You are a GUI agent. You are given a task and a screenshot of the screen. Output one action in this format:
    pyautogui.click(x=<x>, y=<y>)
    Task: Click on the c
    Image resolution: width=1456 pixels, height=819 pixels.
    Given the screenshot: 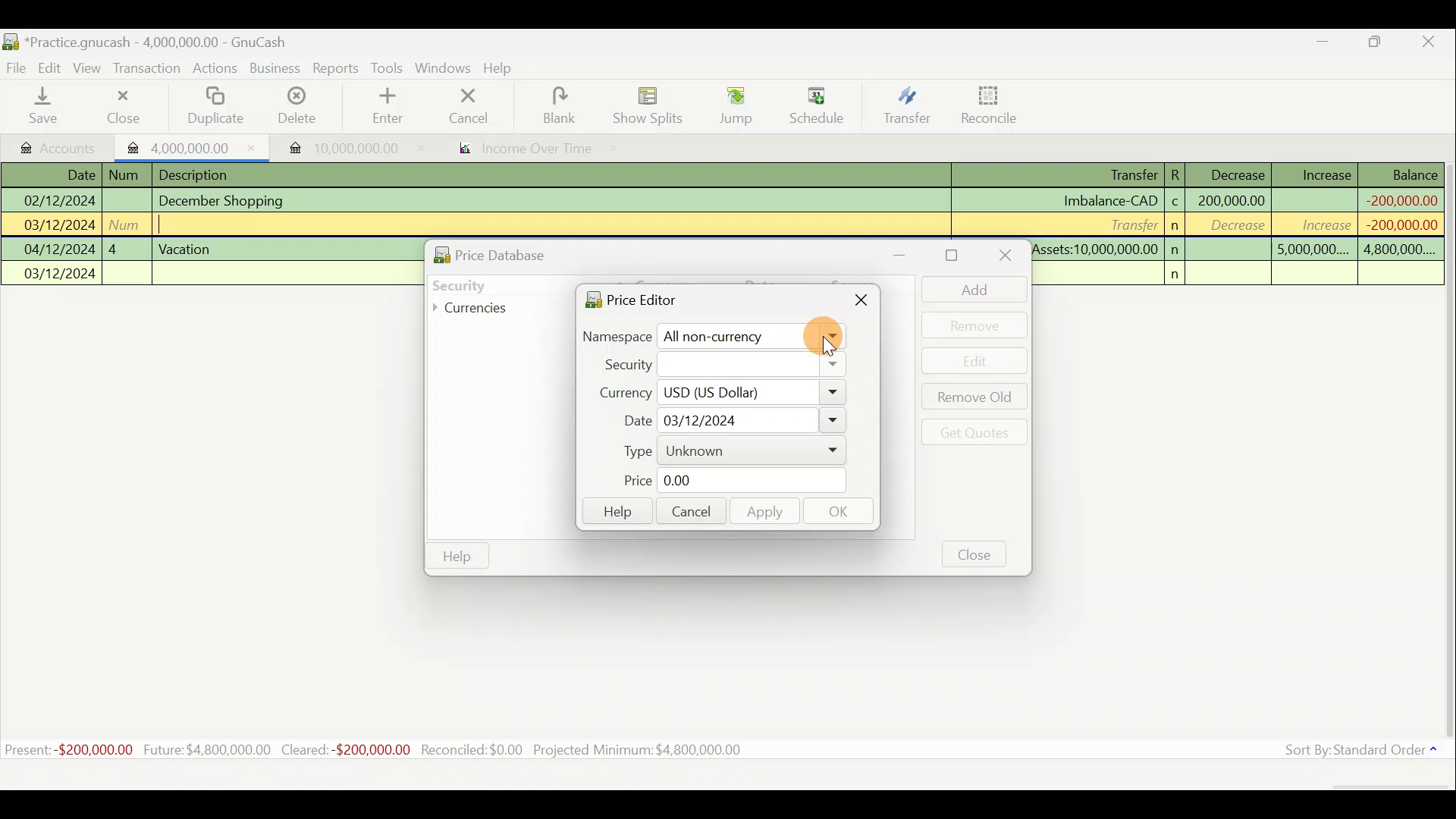 What is the action you would take?
    pyautogui.click(x=1175, y=203)
    